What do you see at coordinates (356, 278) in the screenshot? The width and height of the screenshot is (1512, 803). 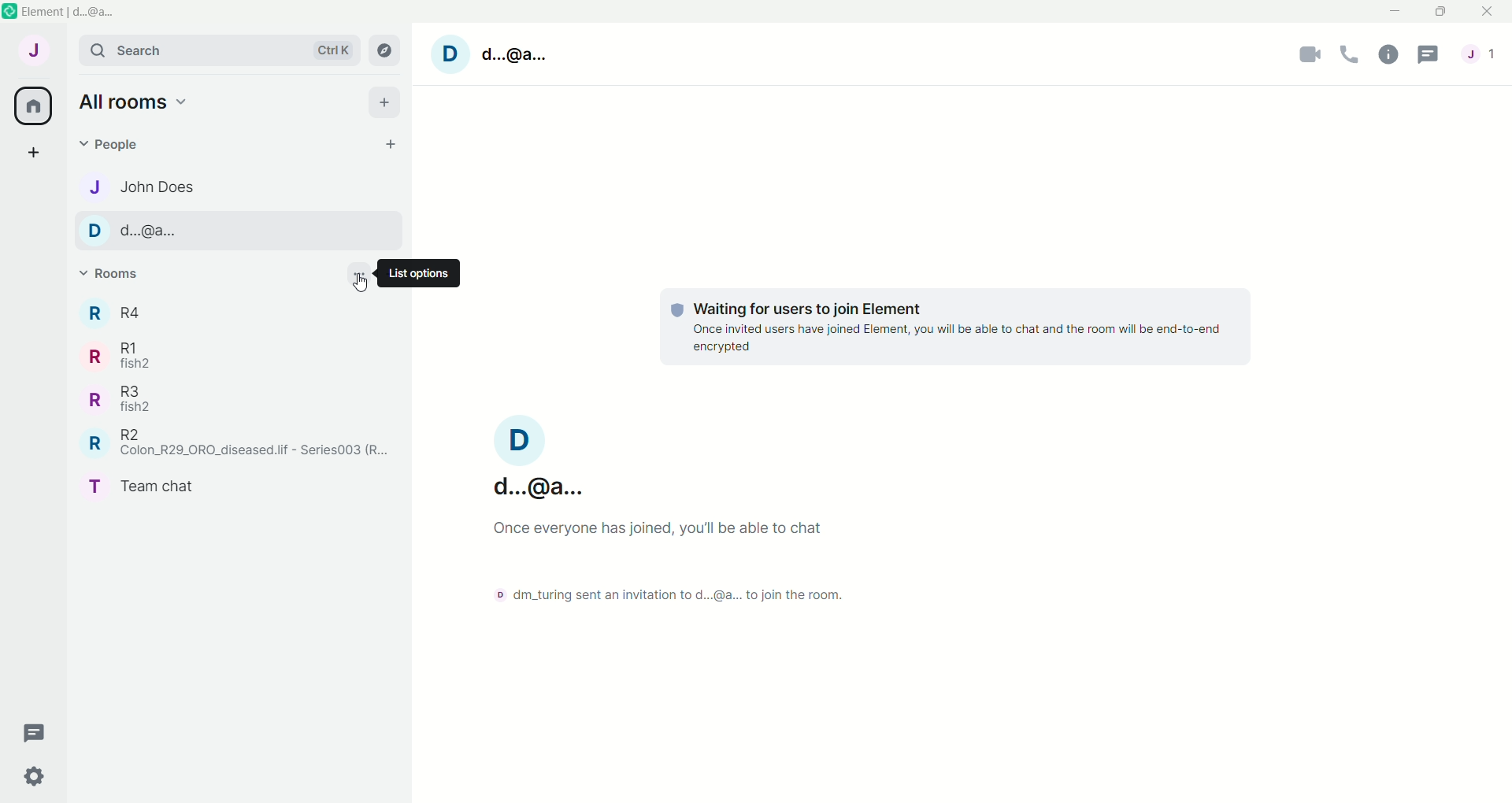 I see `List options` at bounding box center [356, 278].